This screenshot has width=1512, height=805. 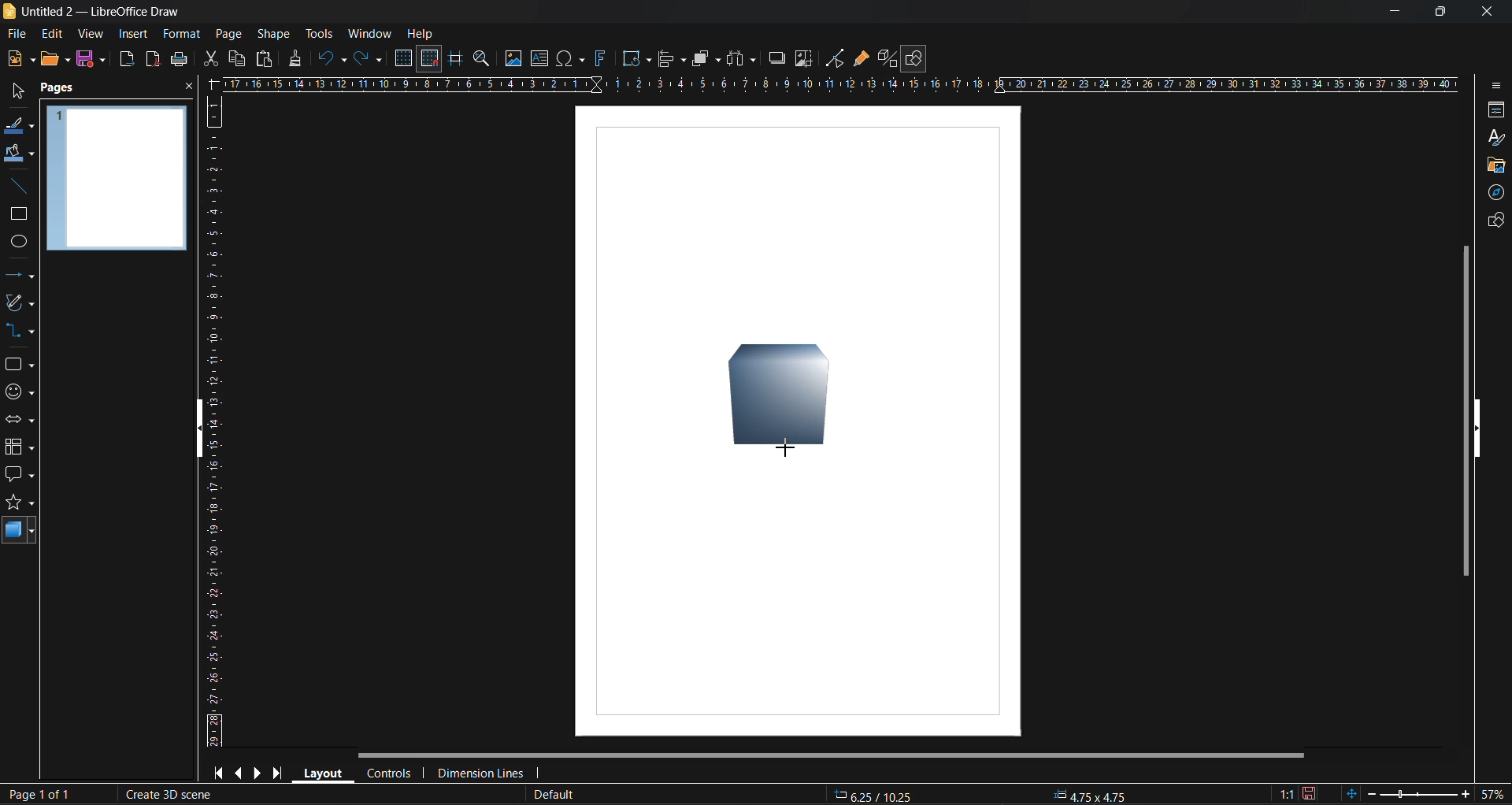 What do you see at coordinates (17, 391) in the screenshot?
I see `symbols` at bounding box center [17, 391].